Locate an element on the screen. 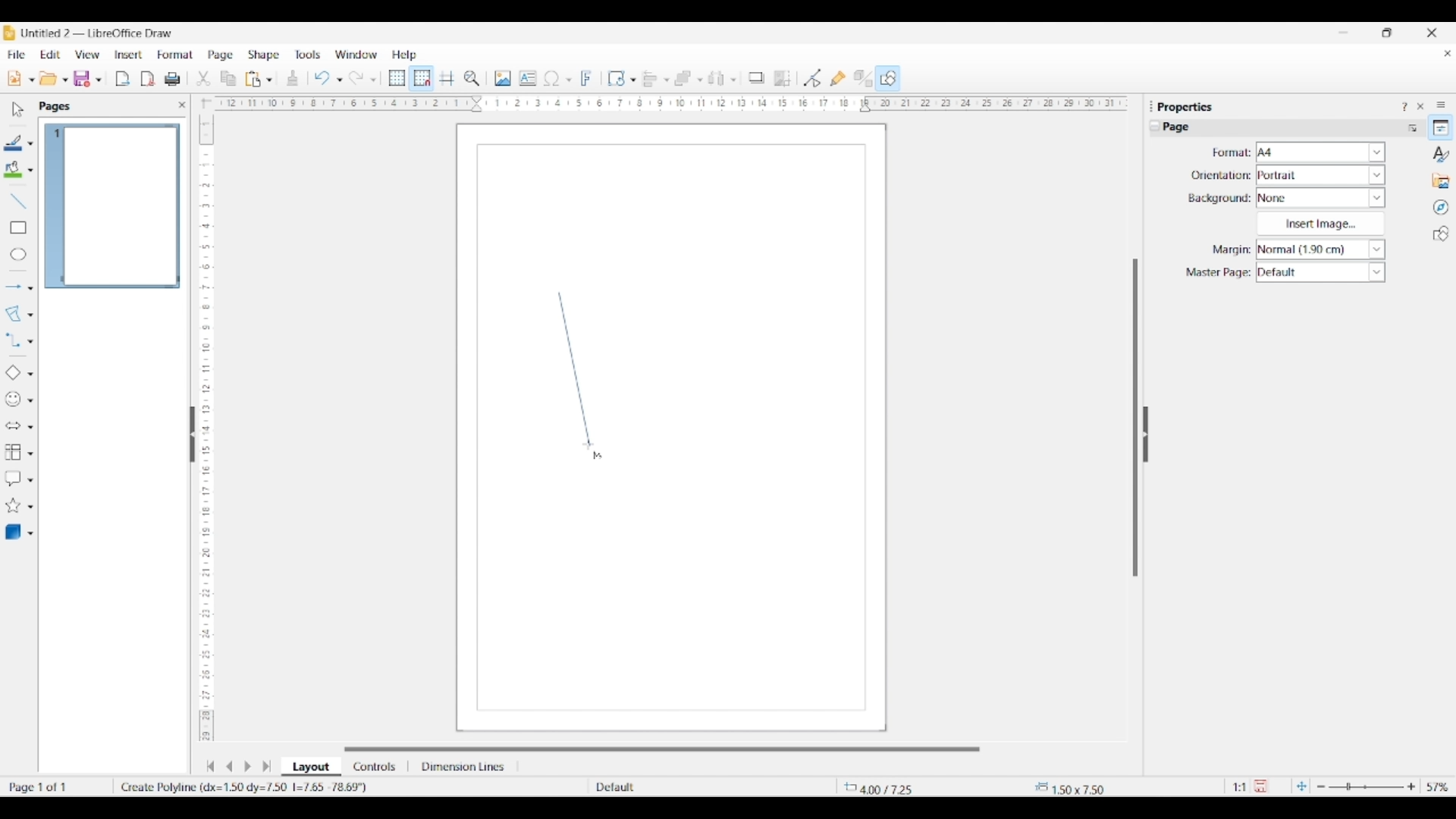 This screenshot has height=819, width=1456. View options is located at coordinates (86, 55).